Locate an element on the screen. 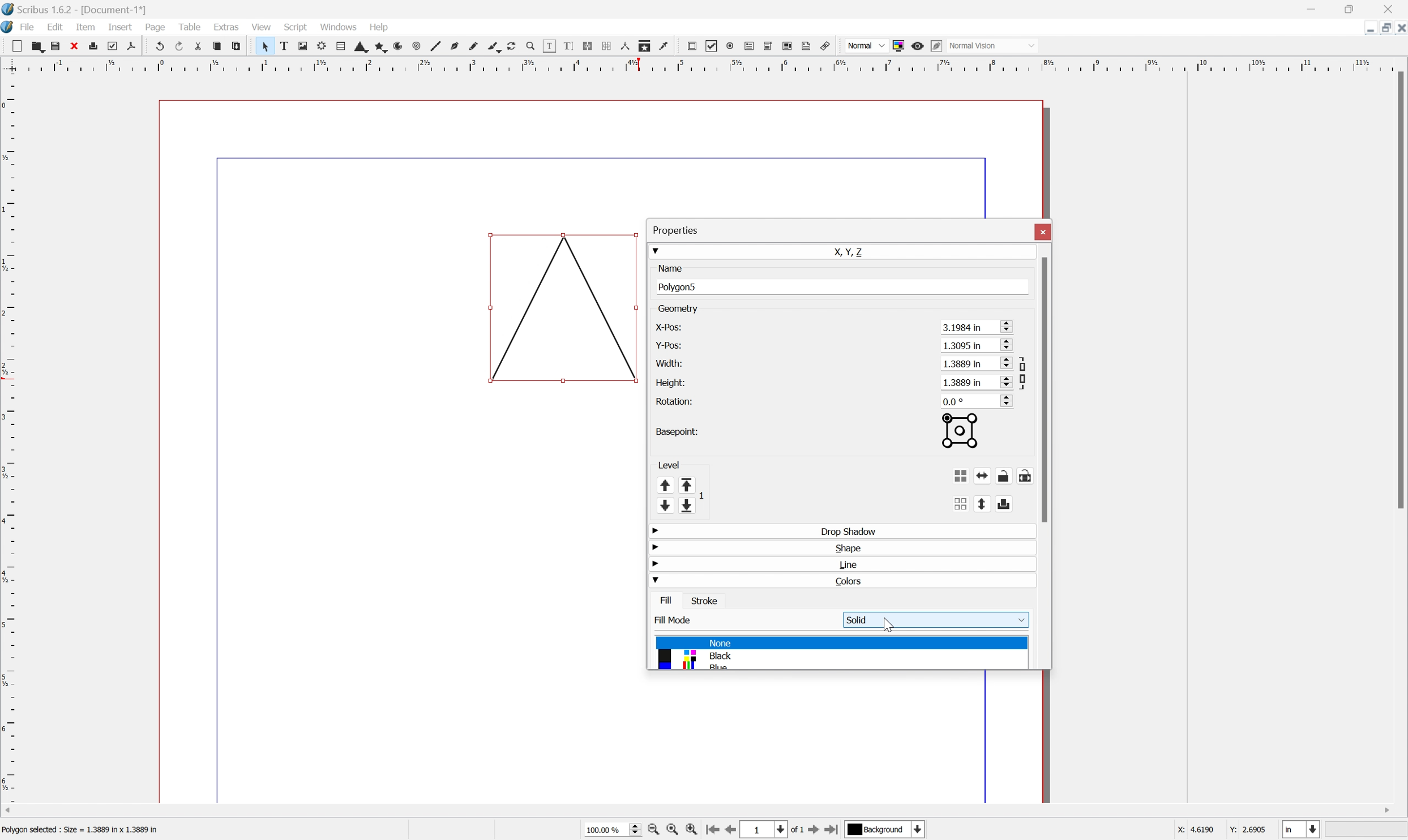  Go to previous page is located at coordinates (728, 832).